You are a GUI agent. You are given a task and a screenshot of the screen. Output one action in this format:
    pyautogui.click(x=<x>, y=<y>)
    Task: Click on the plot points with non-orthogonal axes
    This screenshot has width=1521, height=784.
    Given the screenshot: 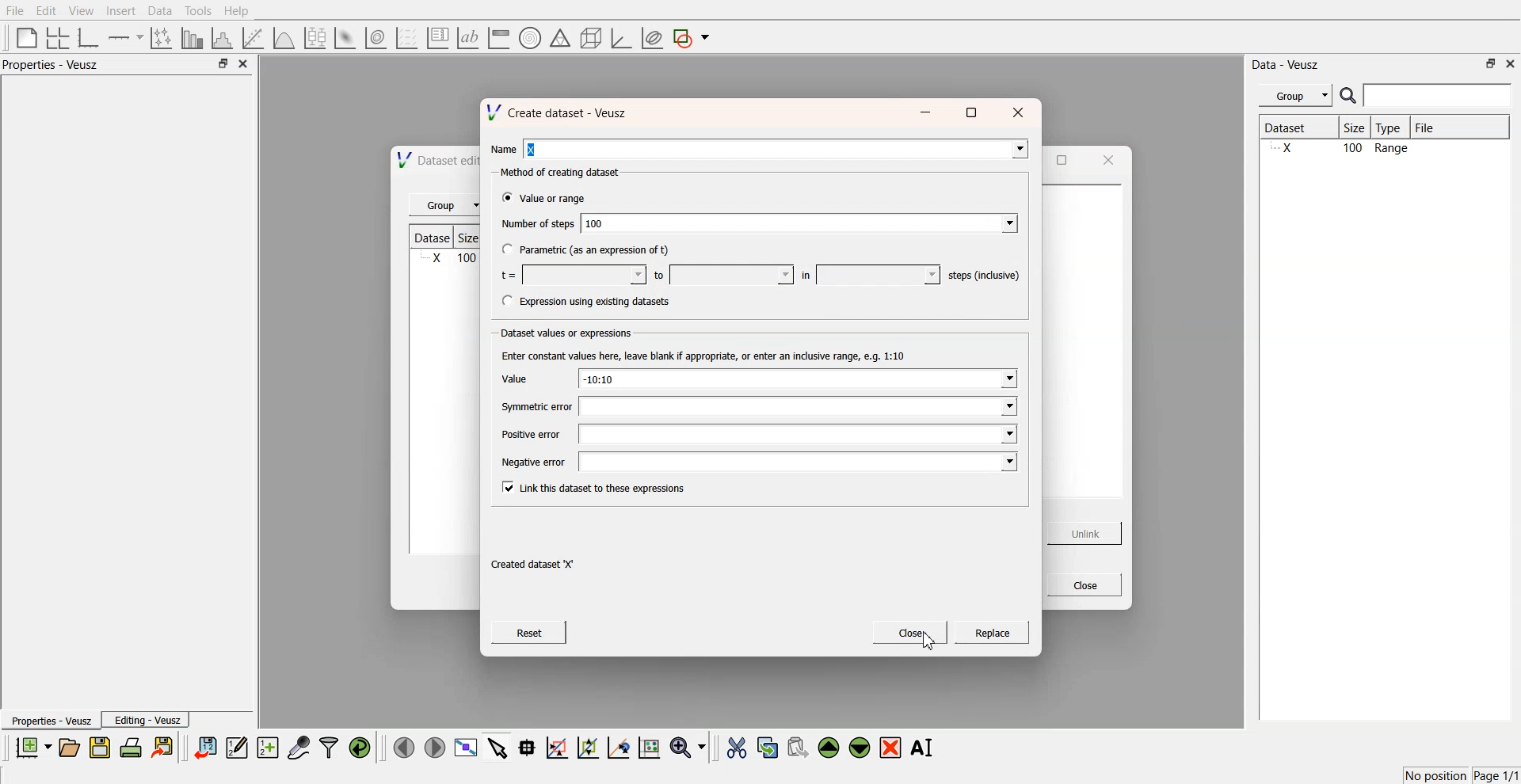 What is the action you would take?
    pyautogui.click(x=160, y=37)
    